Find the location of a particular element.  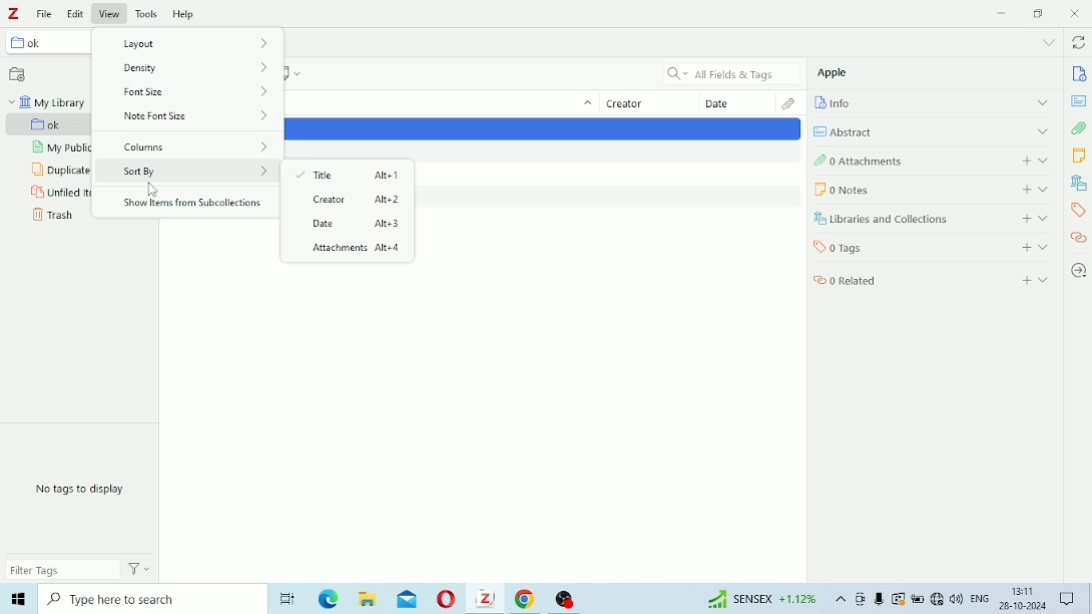

add is located at coordinates (1025, 278).